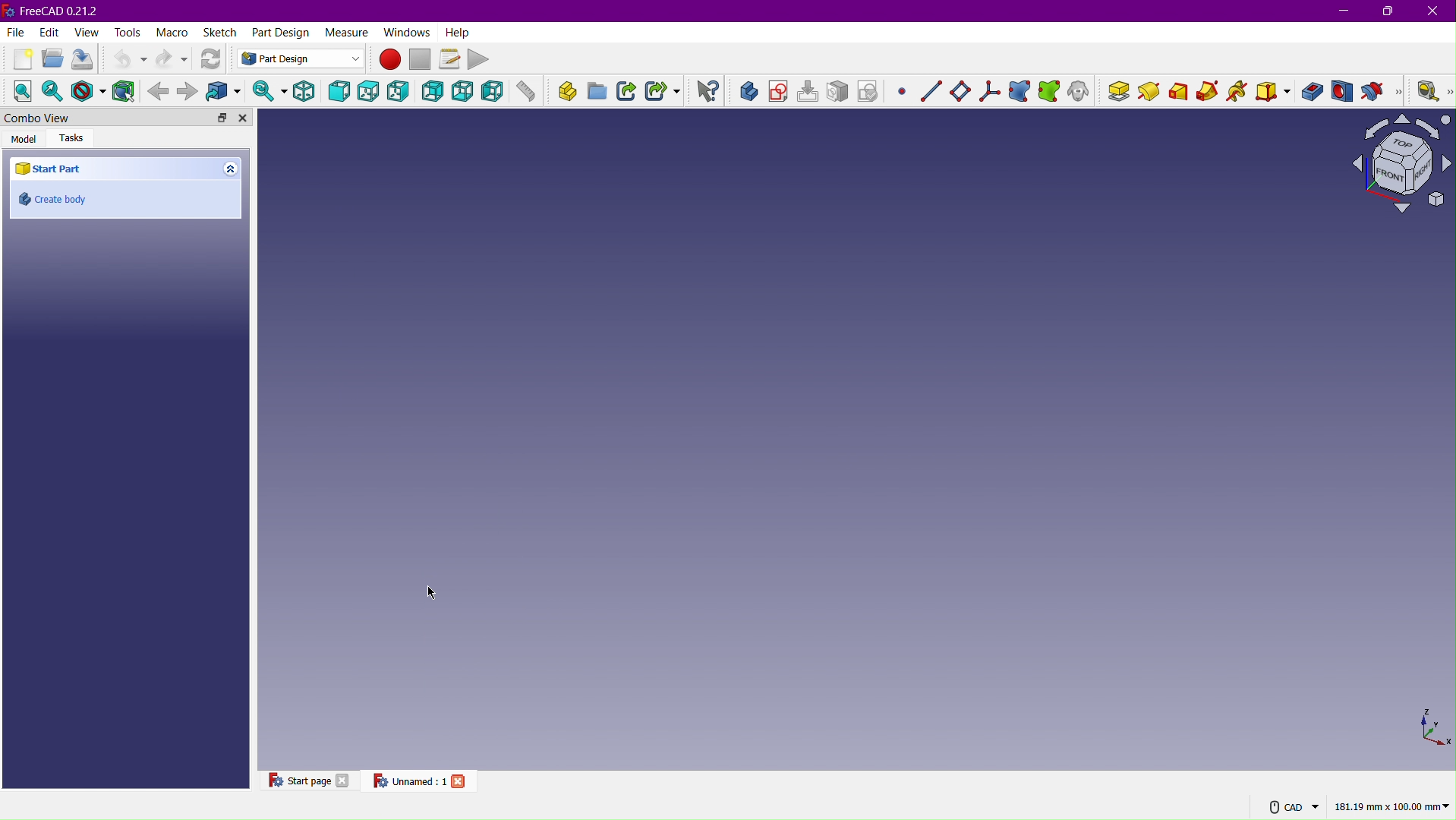  I want to click on Edit Sketch, so click(810, 90).